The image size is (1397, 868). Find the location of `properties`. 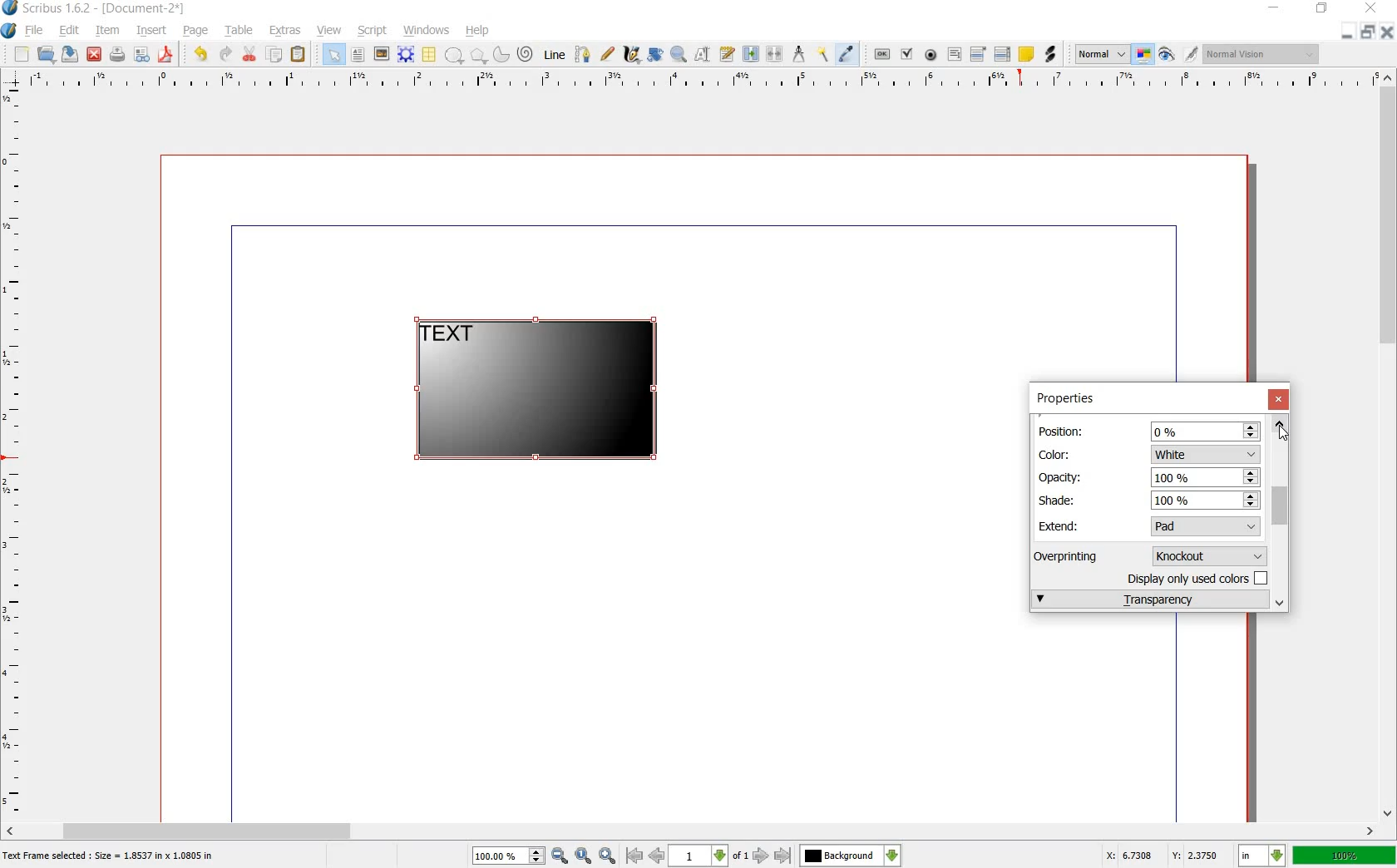

properties is located at coordinates (1064, 399).